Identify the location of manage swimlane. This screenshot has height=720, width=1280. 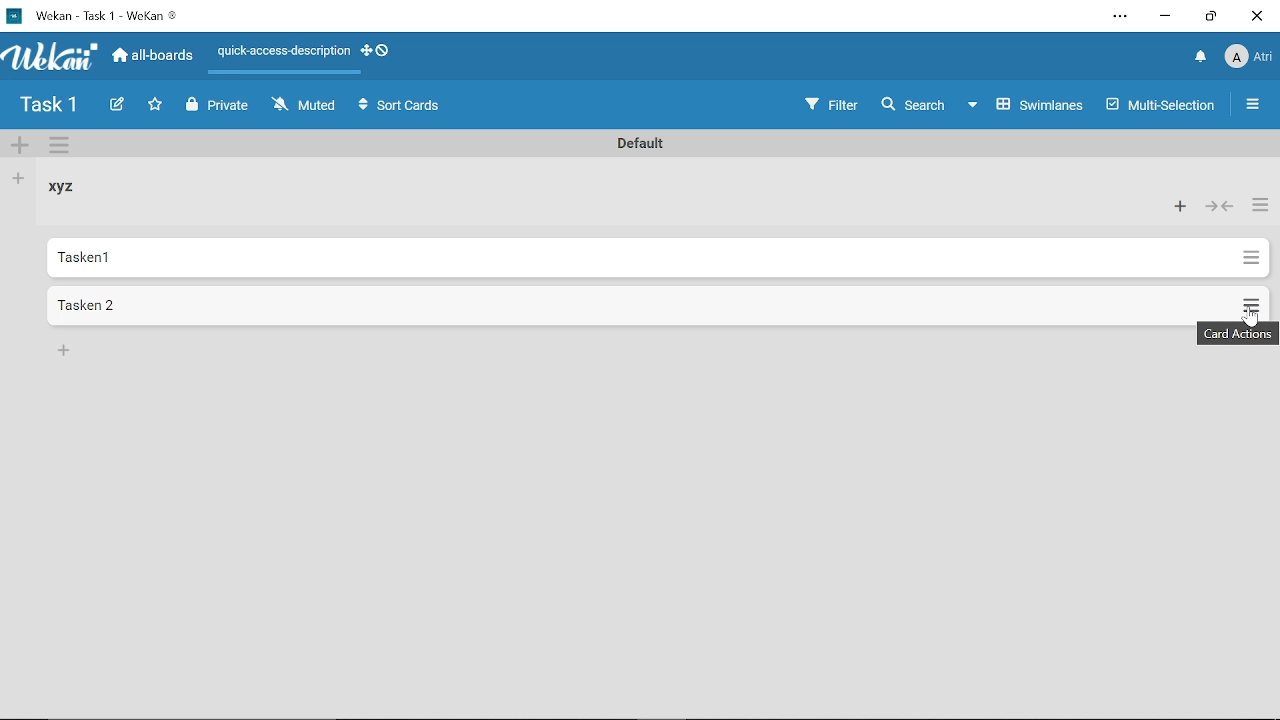
(62, 147).